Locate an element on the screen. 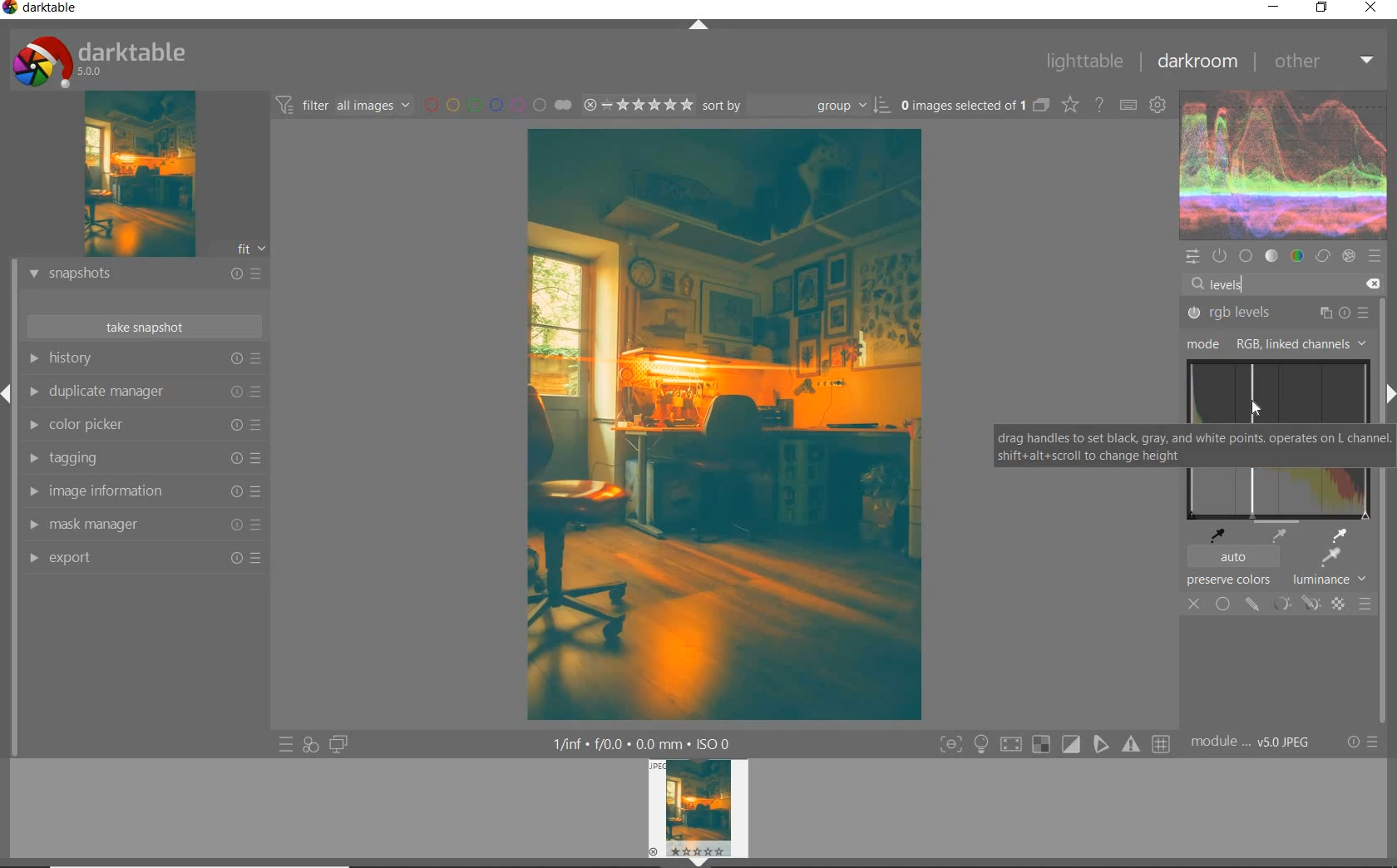  sort is located at coordinates (797, 106).